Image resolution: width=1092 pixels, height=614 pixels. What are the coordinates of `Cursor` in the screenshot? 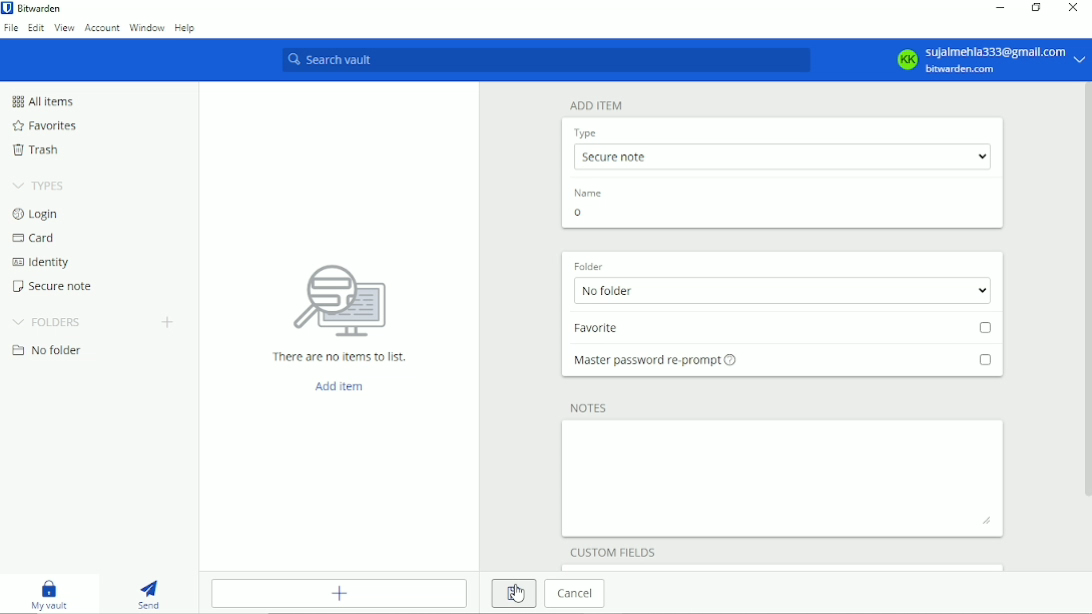 It's located at (518, 594).